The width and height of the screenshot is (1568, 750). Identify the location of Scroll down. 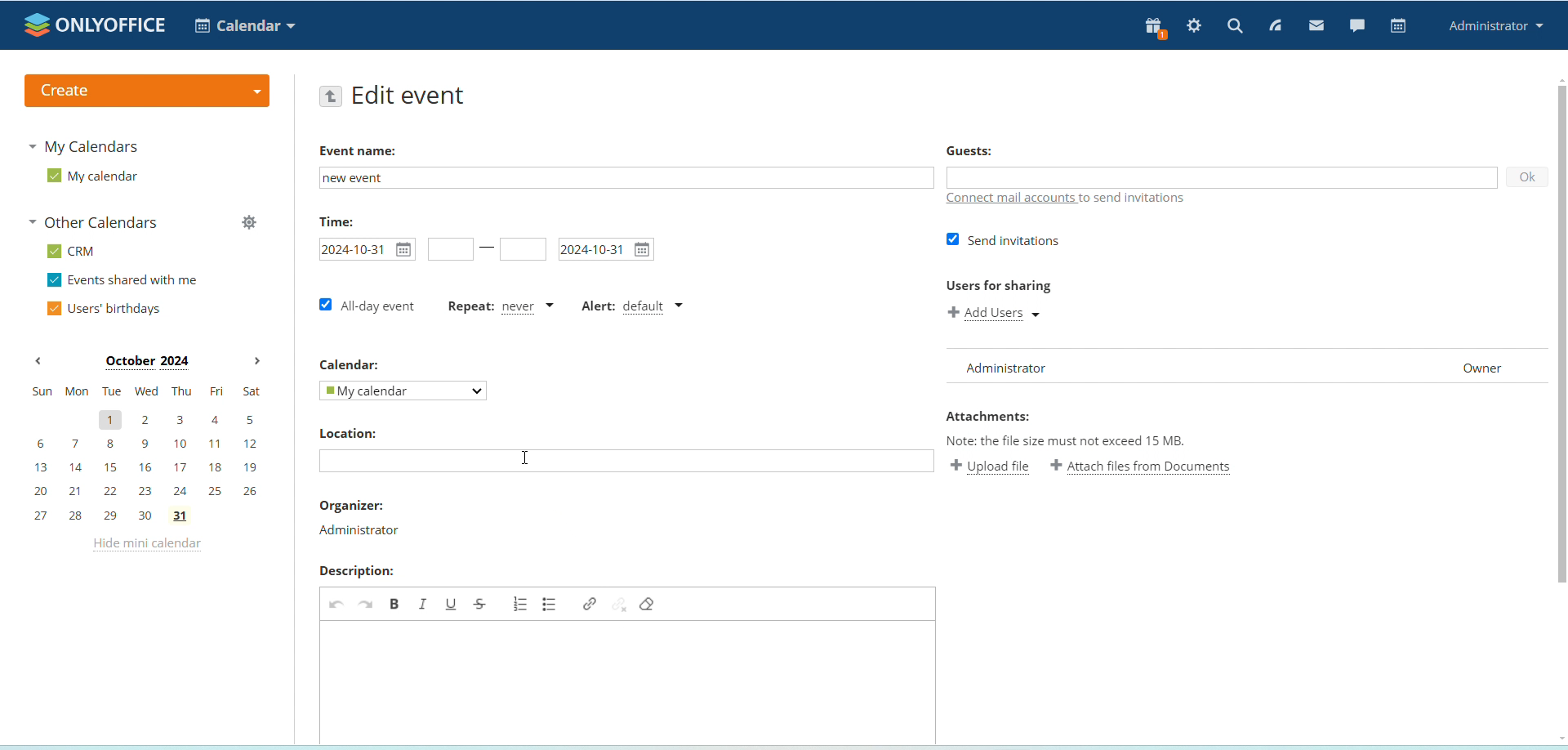
(1558, 739).